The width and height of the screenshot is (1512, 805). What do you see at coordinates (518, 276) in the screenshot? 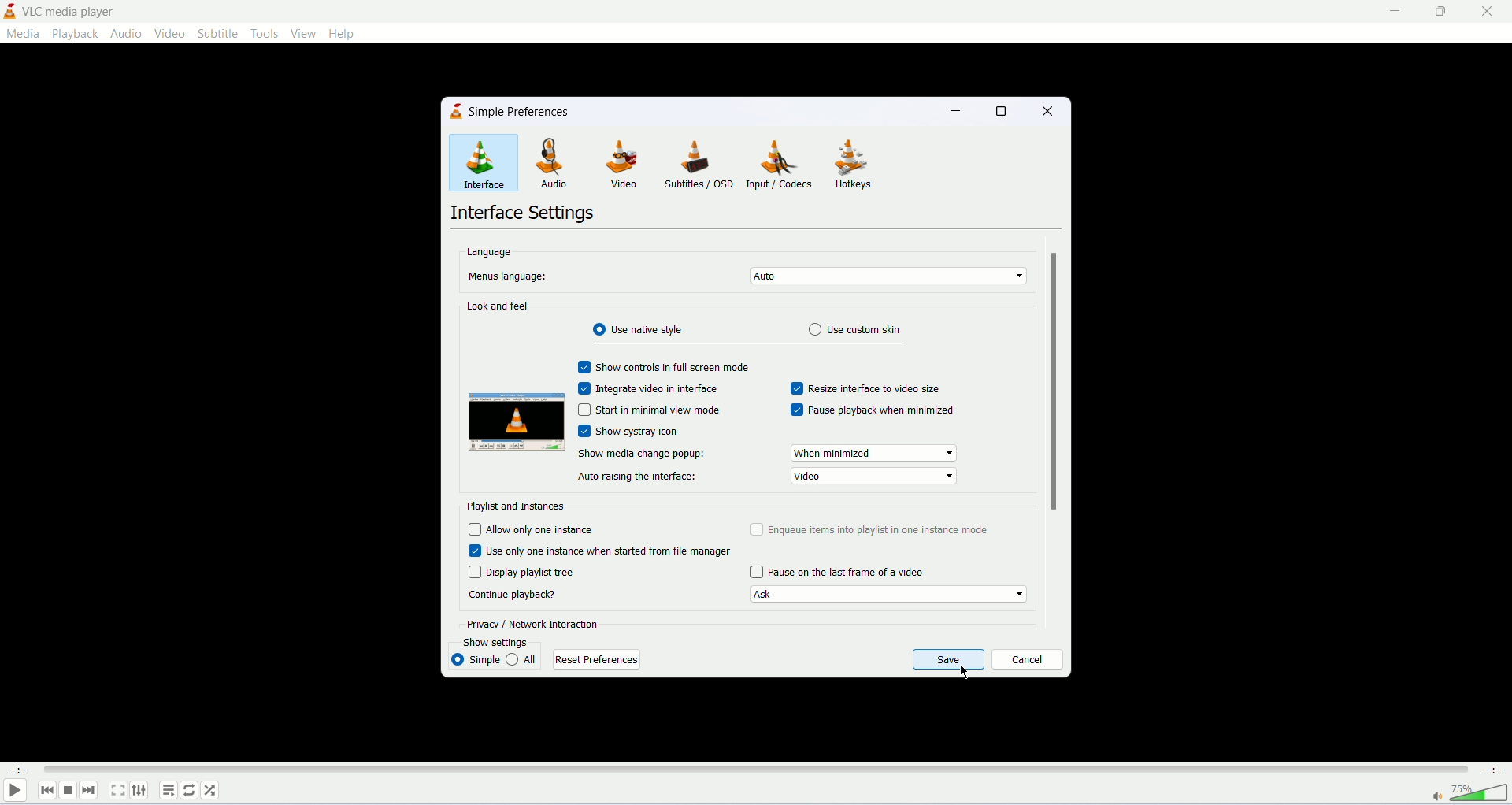
I see `menu language` at bounding box center [518, 276].